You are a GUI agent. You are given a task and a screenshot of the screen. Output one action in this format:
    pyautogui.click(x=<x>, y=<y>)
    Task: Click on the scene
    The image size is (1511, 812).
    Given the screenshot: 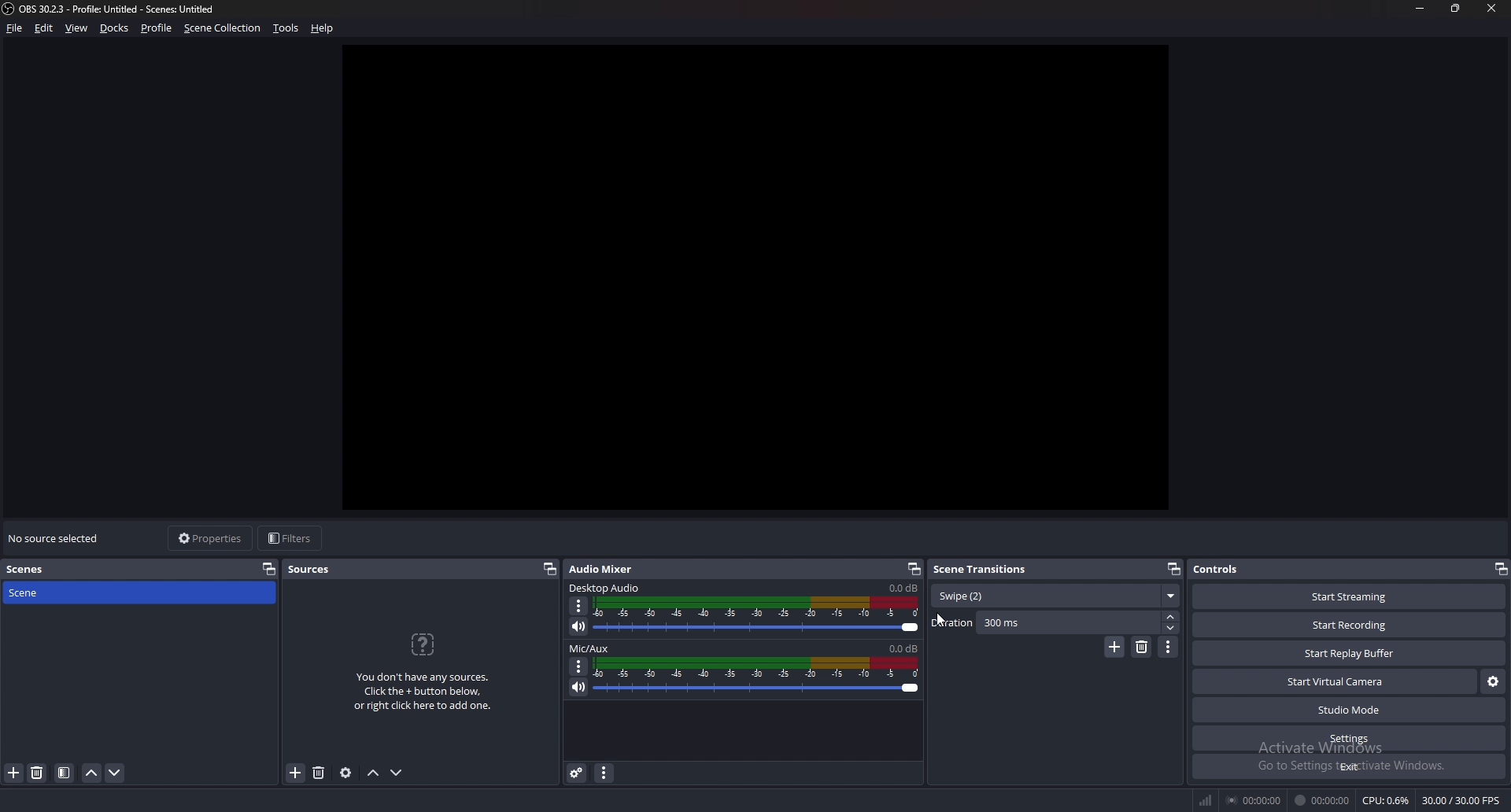 What is the action you would take?
    pyautogui.click(x=52, y=593)
    